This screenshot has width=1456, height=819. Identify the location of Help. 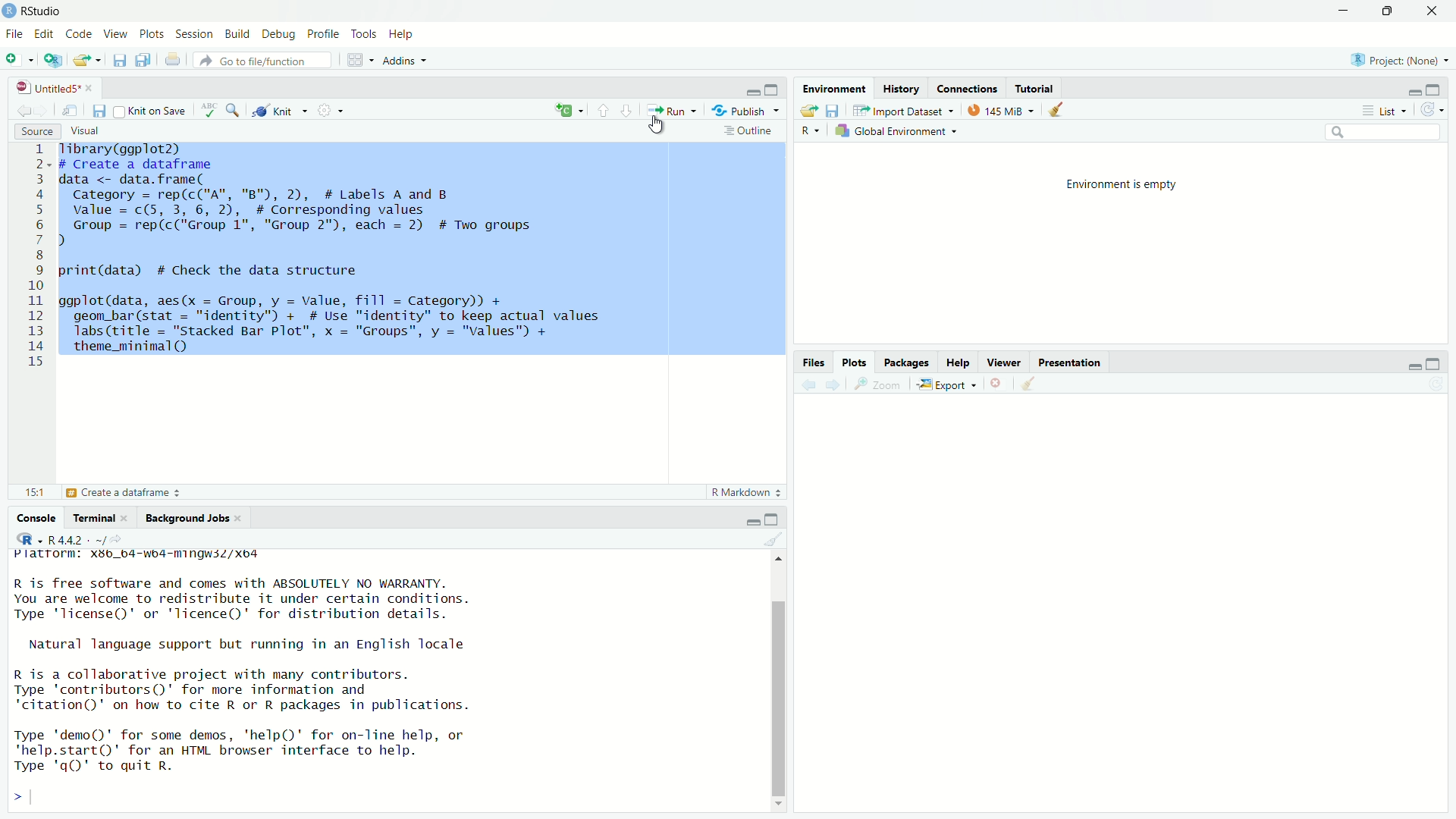
(957, 360).